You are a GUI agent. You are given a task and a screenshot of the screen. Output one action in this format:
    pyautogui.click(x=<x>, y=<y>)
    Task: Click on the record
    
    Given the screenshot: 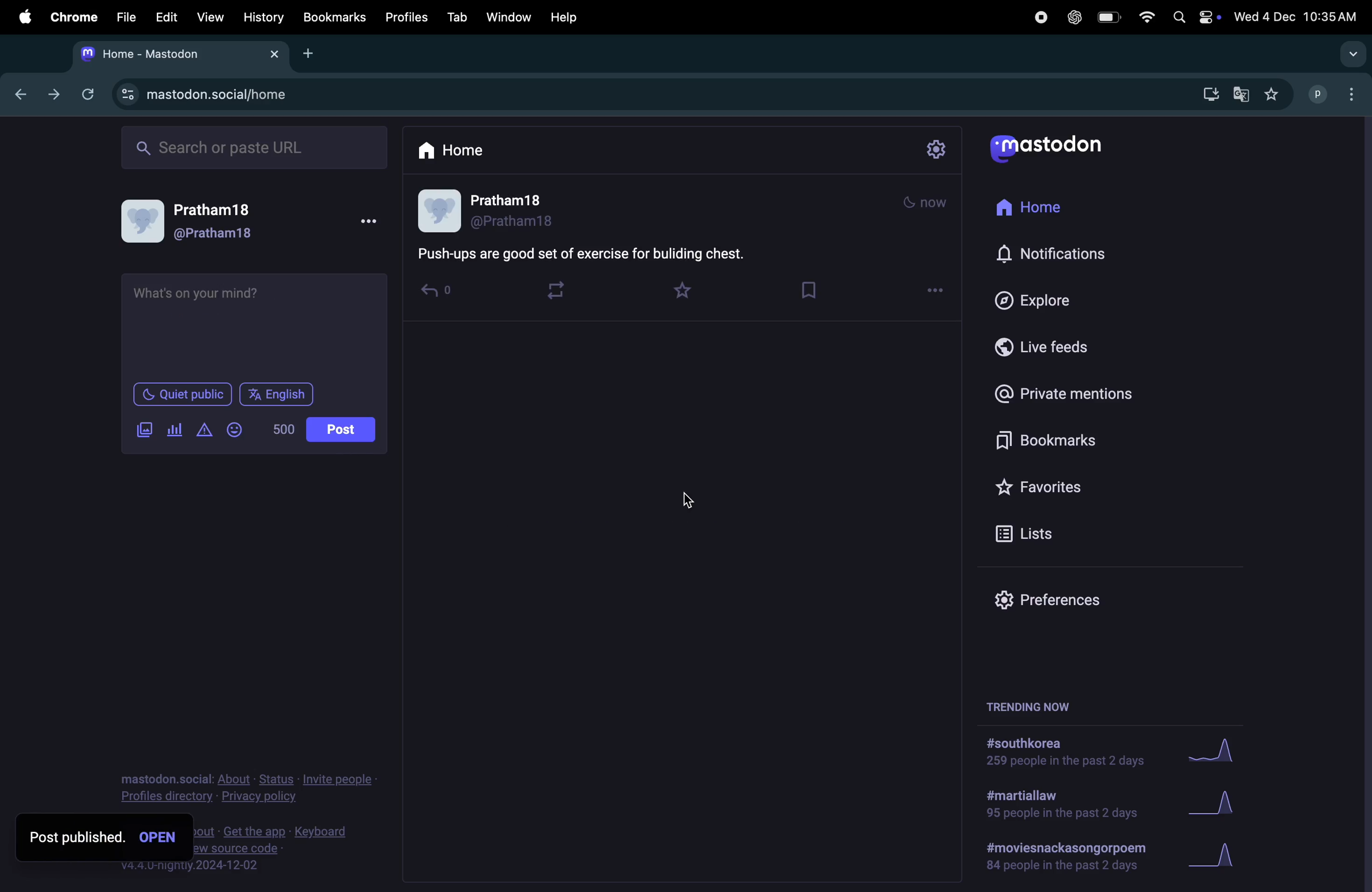 What is the action you would take?
    pyautogui.click(x=1036, y=18)
    